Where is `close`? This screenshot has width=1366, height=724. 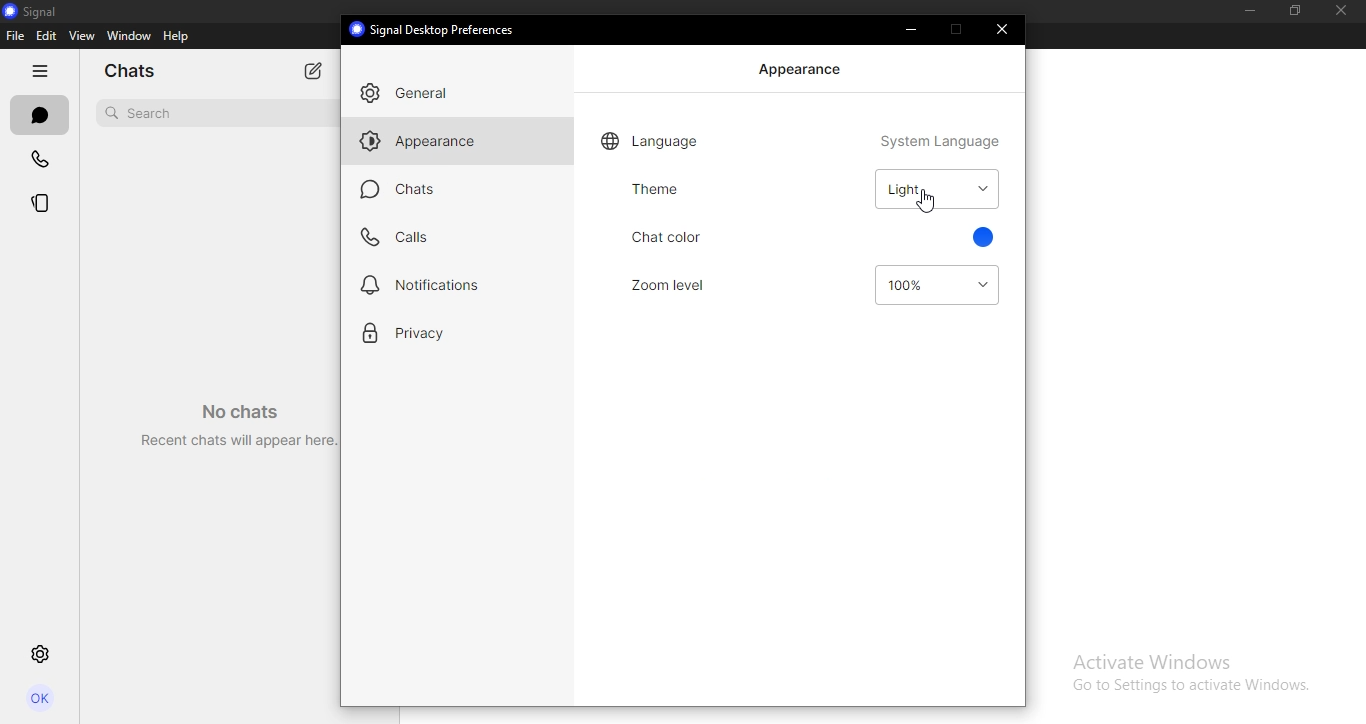
close is located at coordinates (1005, 30).